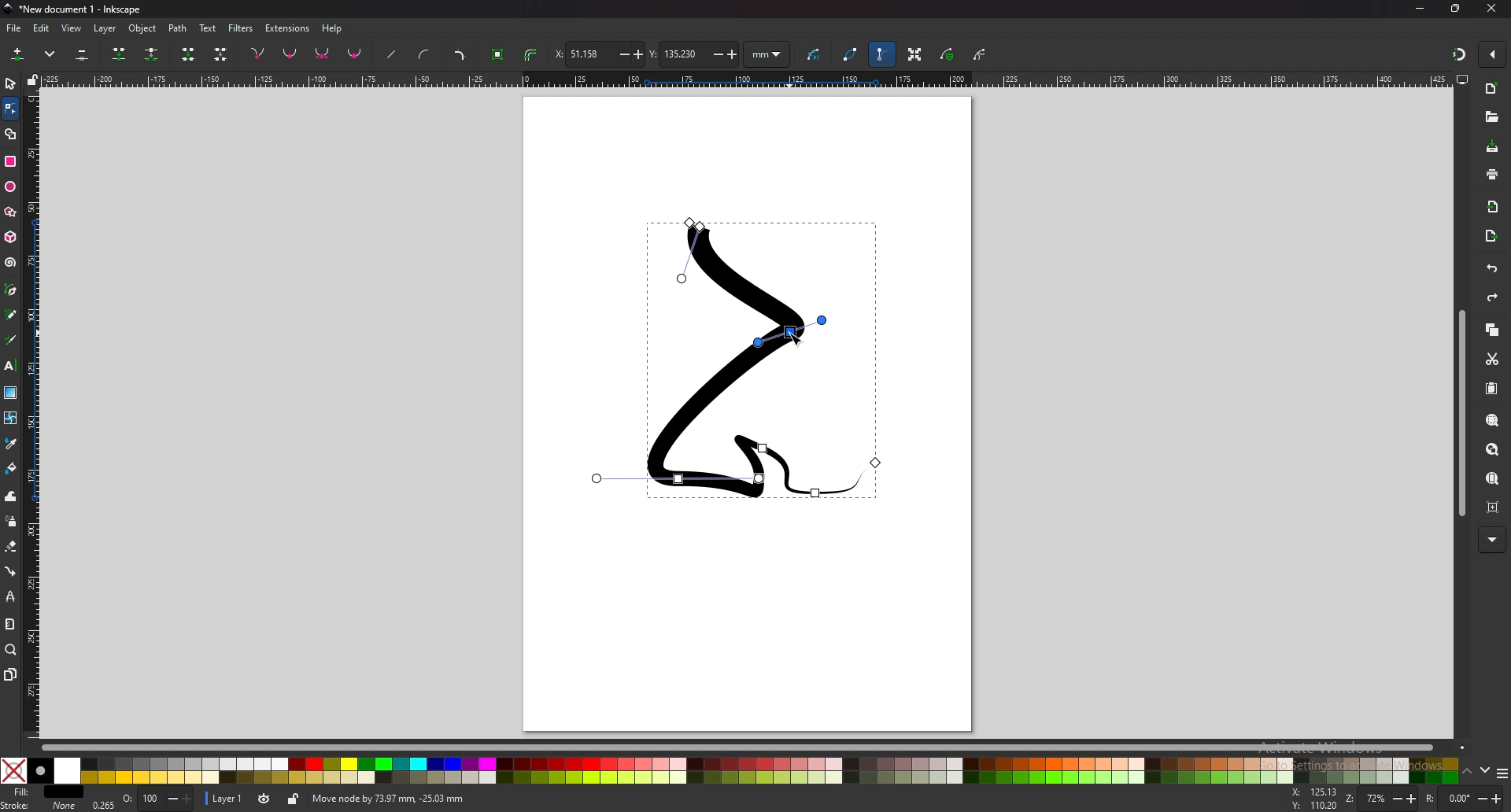 This screenshot has width=1511, height=812. Describe the element at coordinates (796, 338) in the screenshot. I see `cursor` at that location.